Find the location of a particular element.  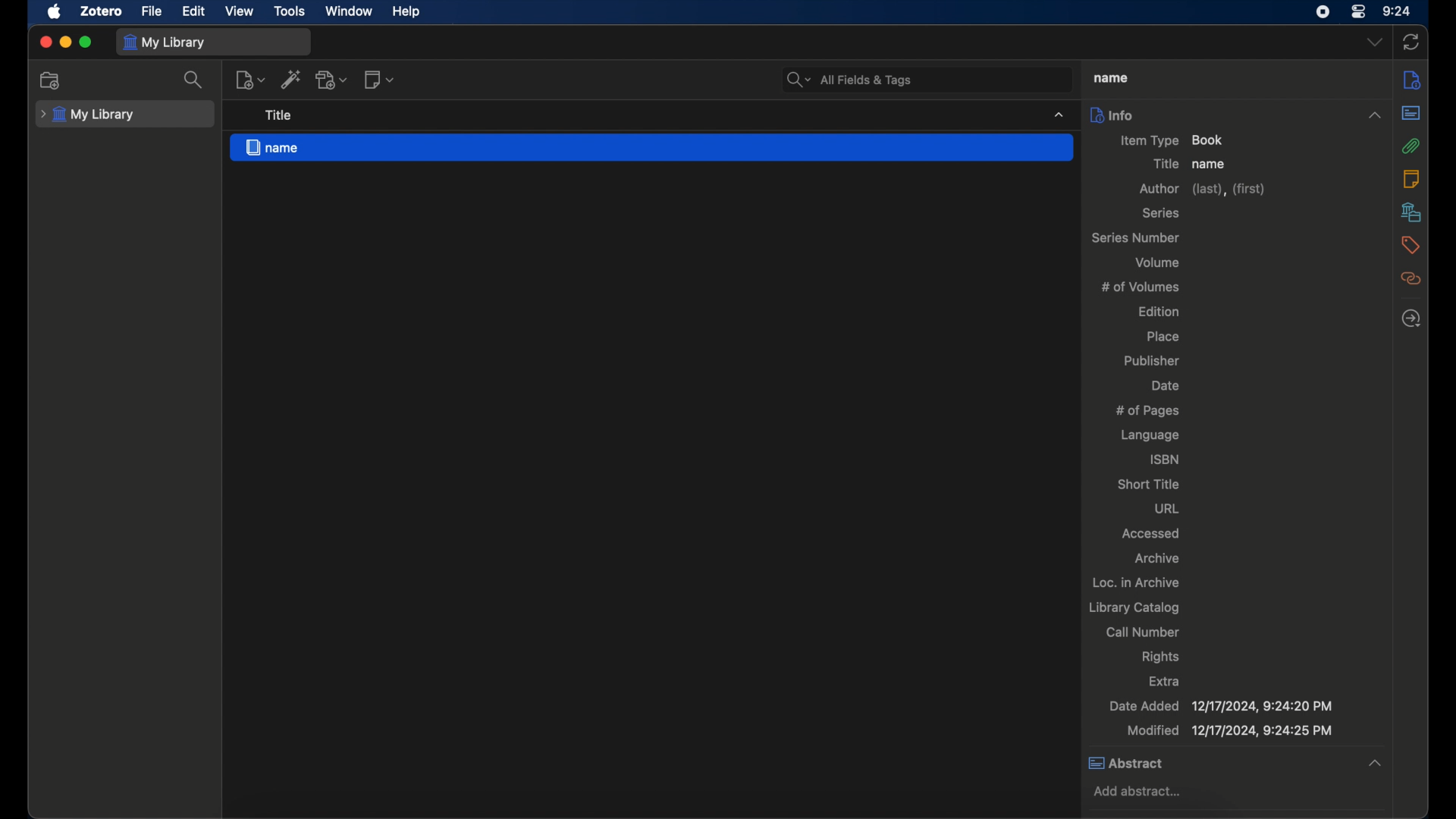

file is located at coordinates (152, 12).